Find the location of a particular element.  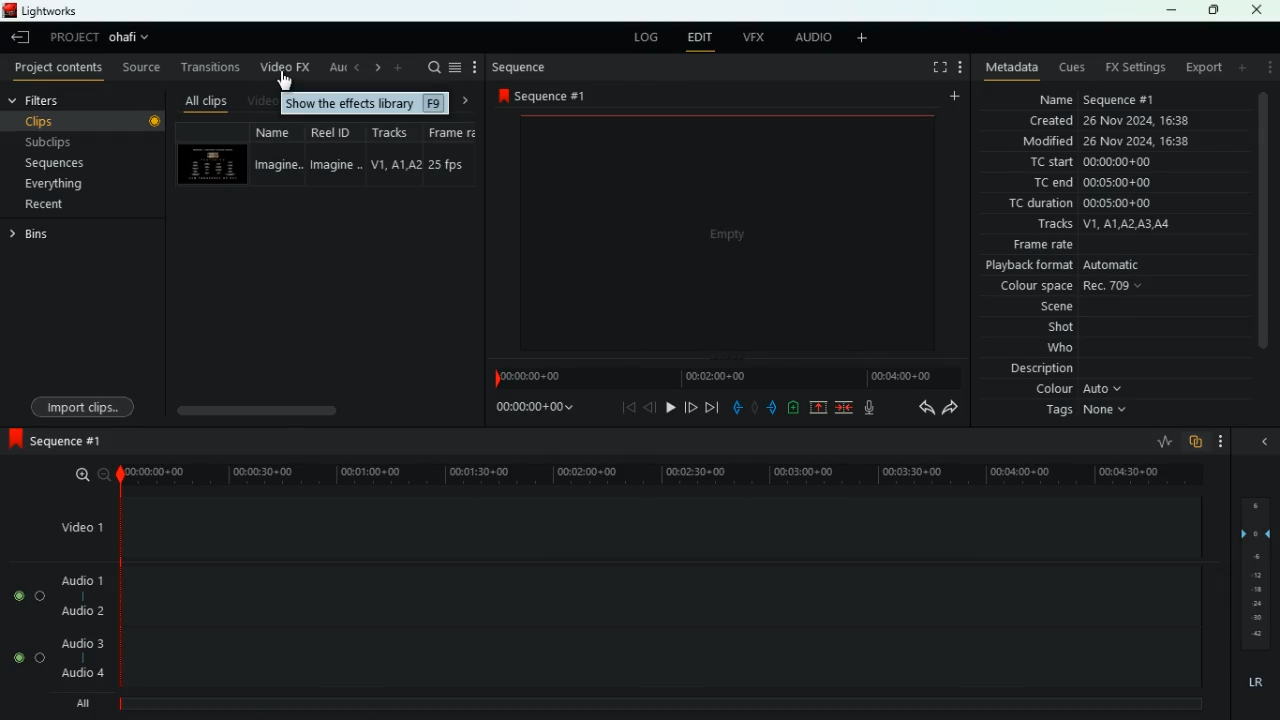

tc end is located at coordinates (1119, 184).